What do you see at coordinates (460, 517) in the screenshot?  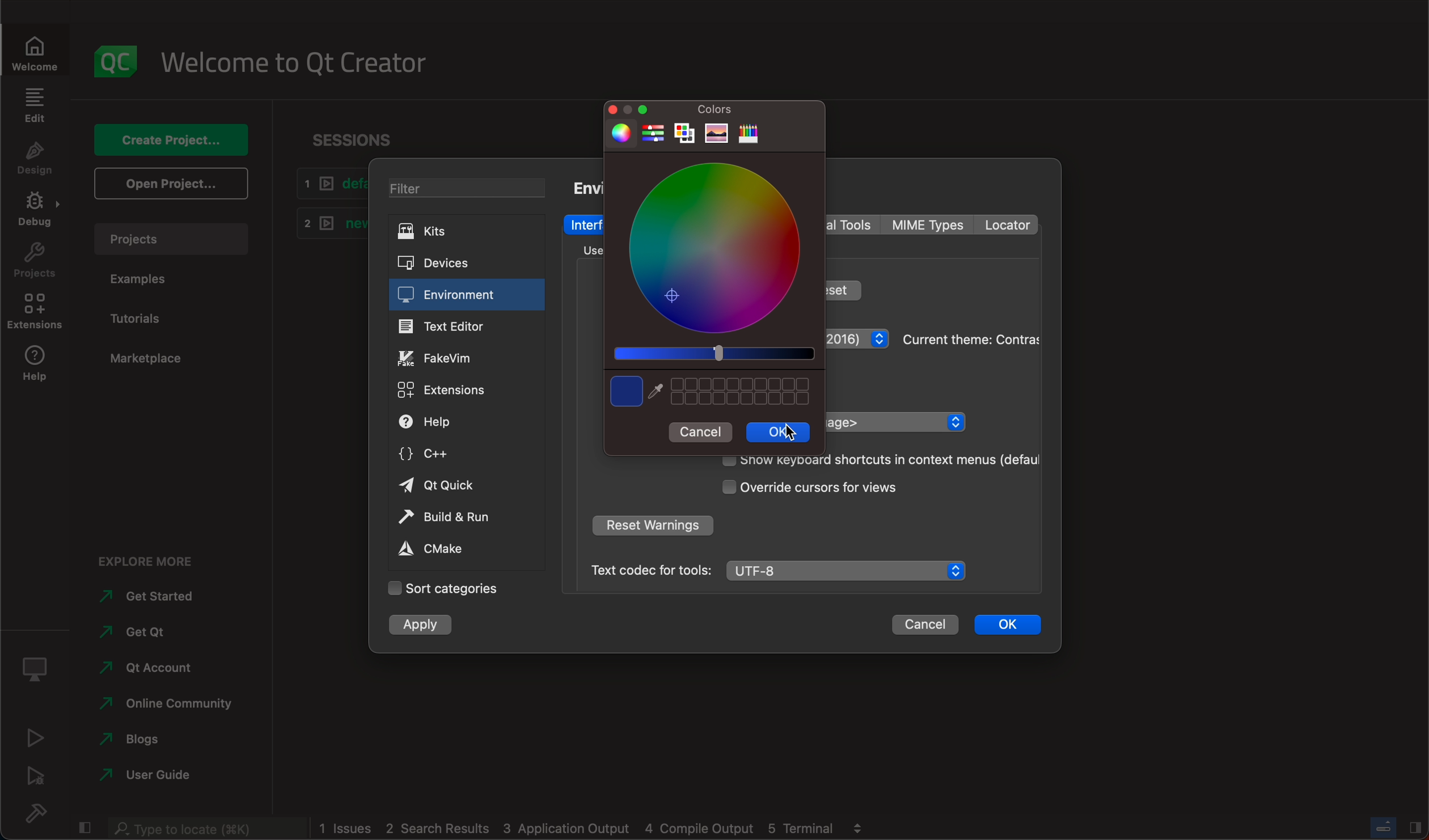 I see `build and run` at bounding box center [460, 517].